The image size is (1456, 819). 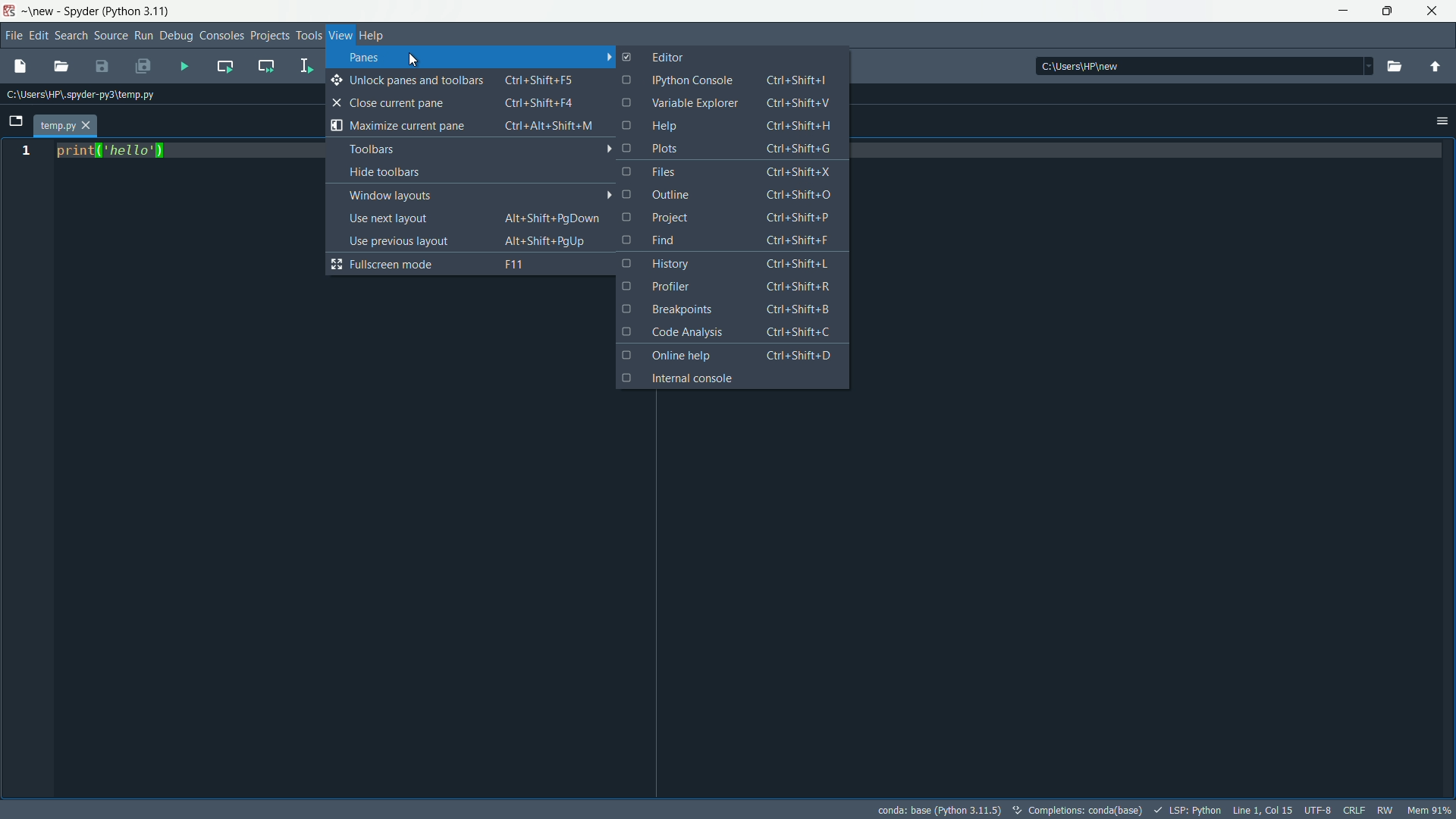 What do you see at coordinates (730, 332) in the screenshot?
I see `code analysis` at bounding box center [730, 332].